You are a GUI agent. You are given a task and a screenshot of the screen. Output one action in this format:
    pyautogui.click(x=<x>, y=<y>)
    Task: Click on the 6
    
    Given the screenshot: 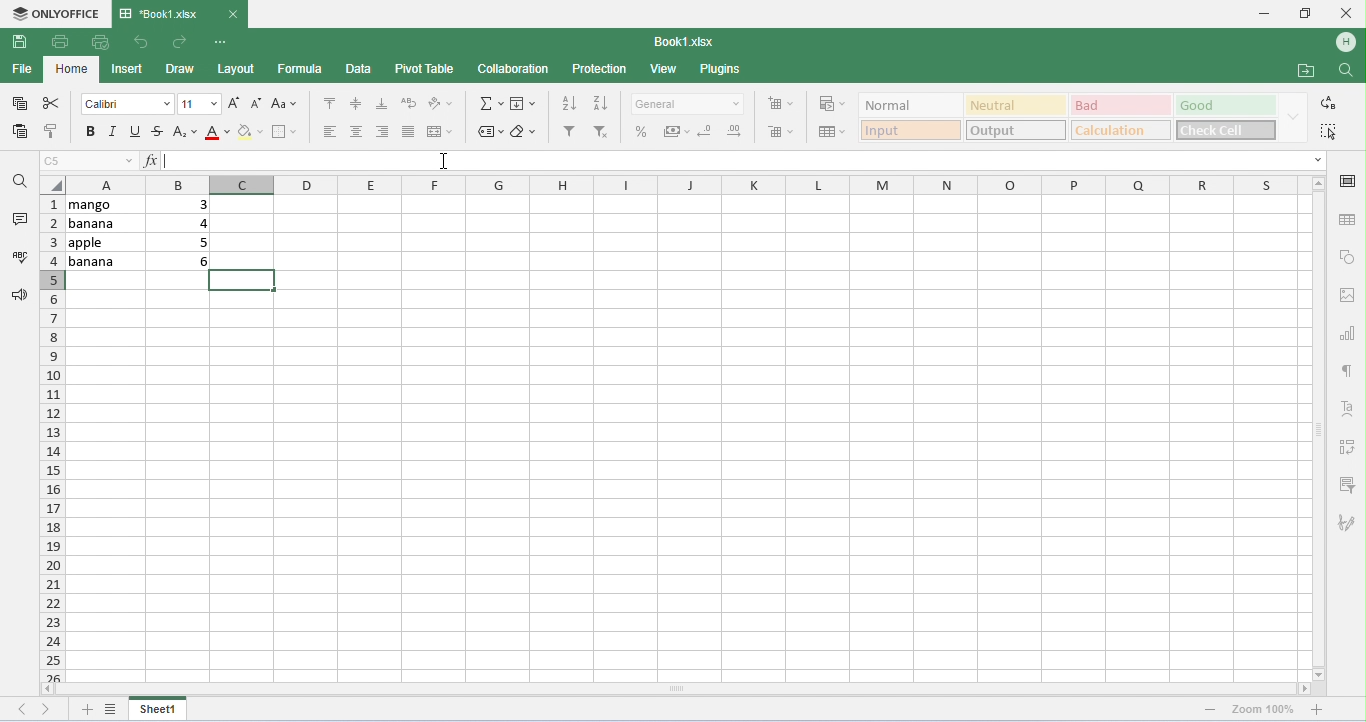 What is the action you would take?
    pyautogui.click(x=193, y=262)
    